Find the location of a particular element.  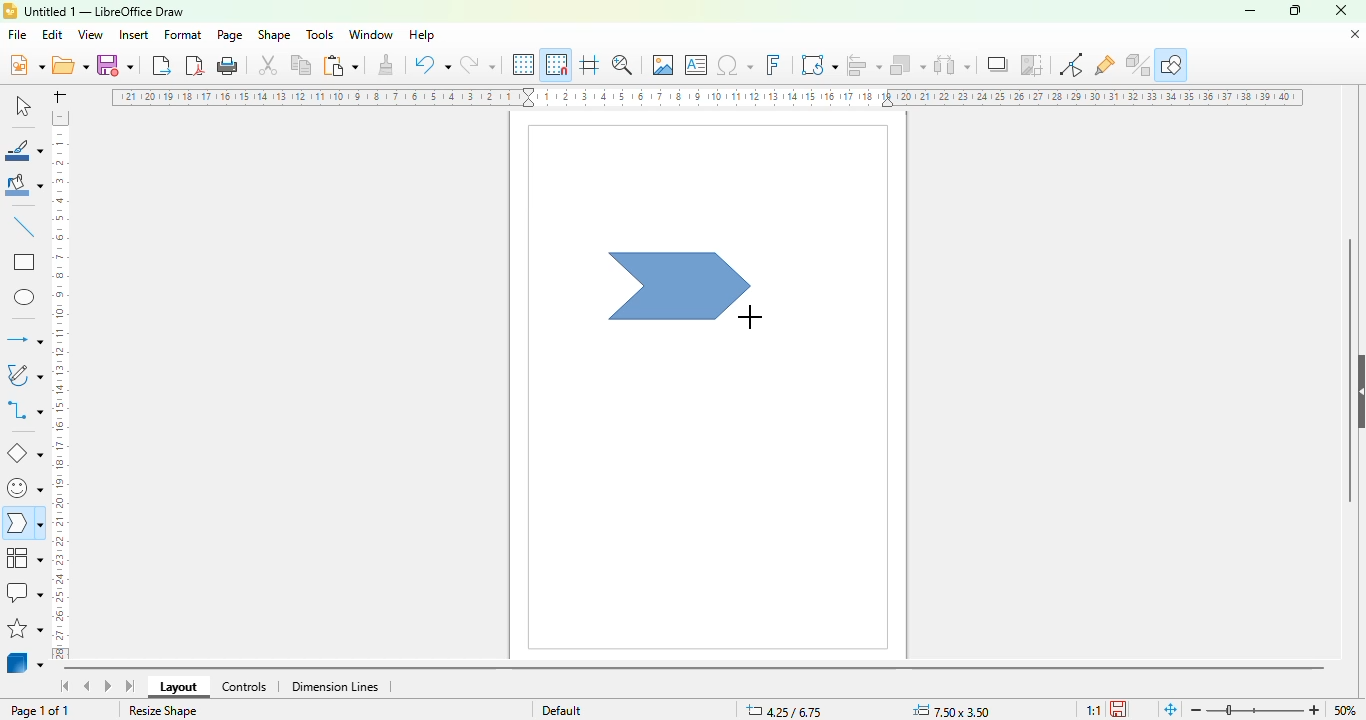

undo is located at coordinates (432, 64).